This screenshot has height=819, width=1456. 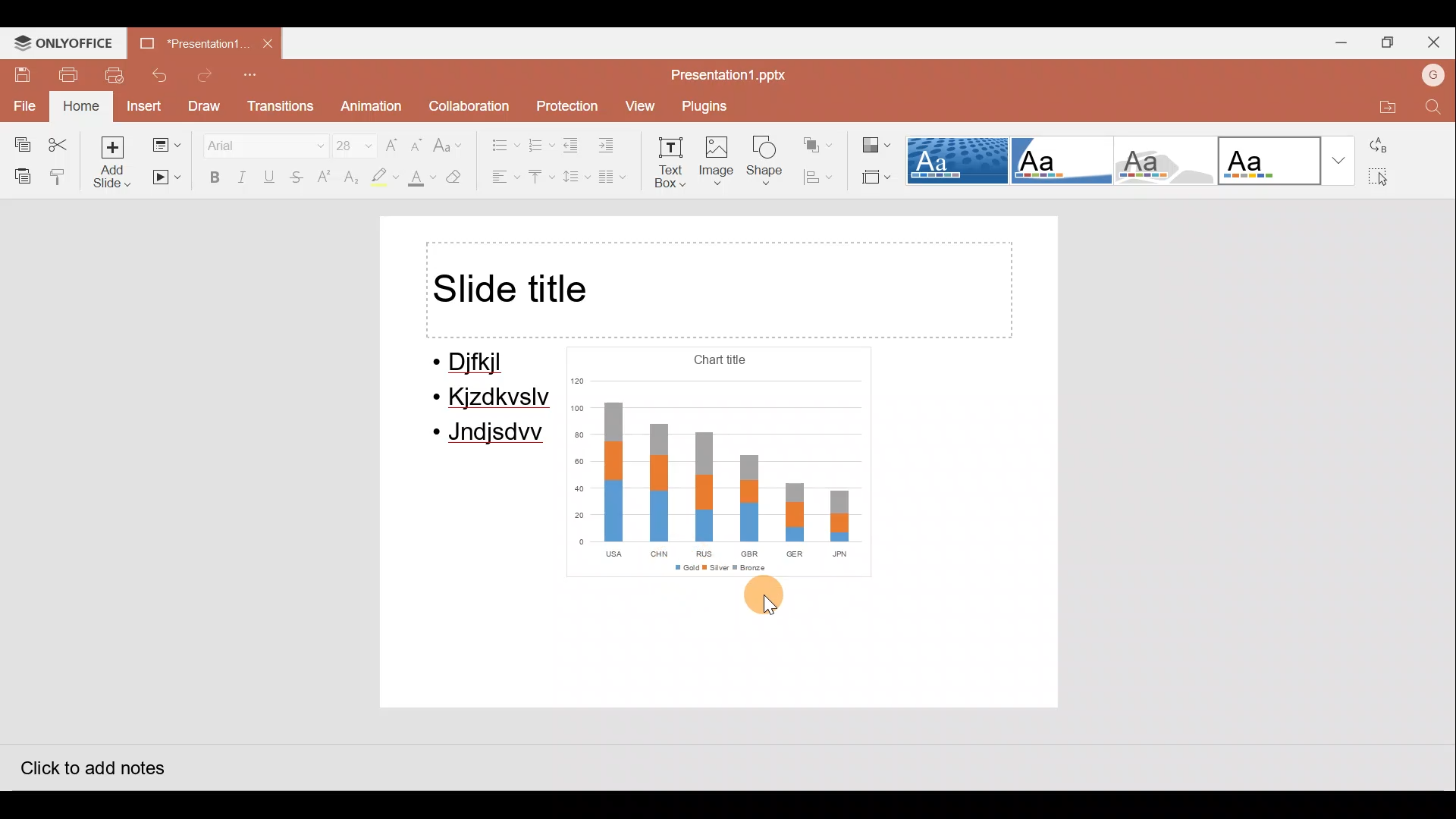 I want to click on Redo, so click(x=206, y=76).